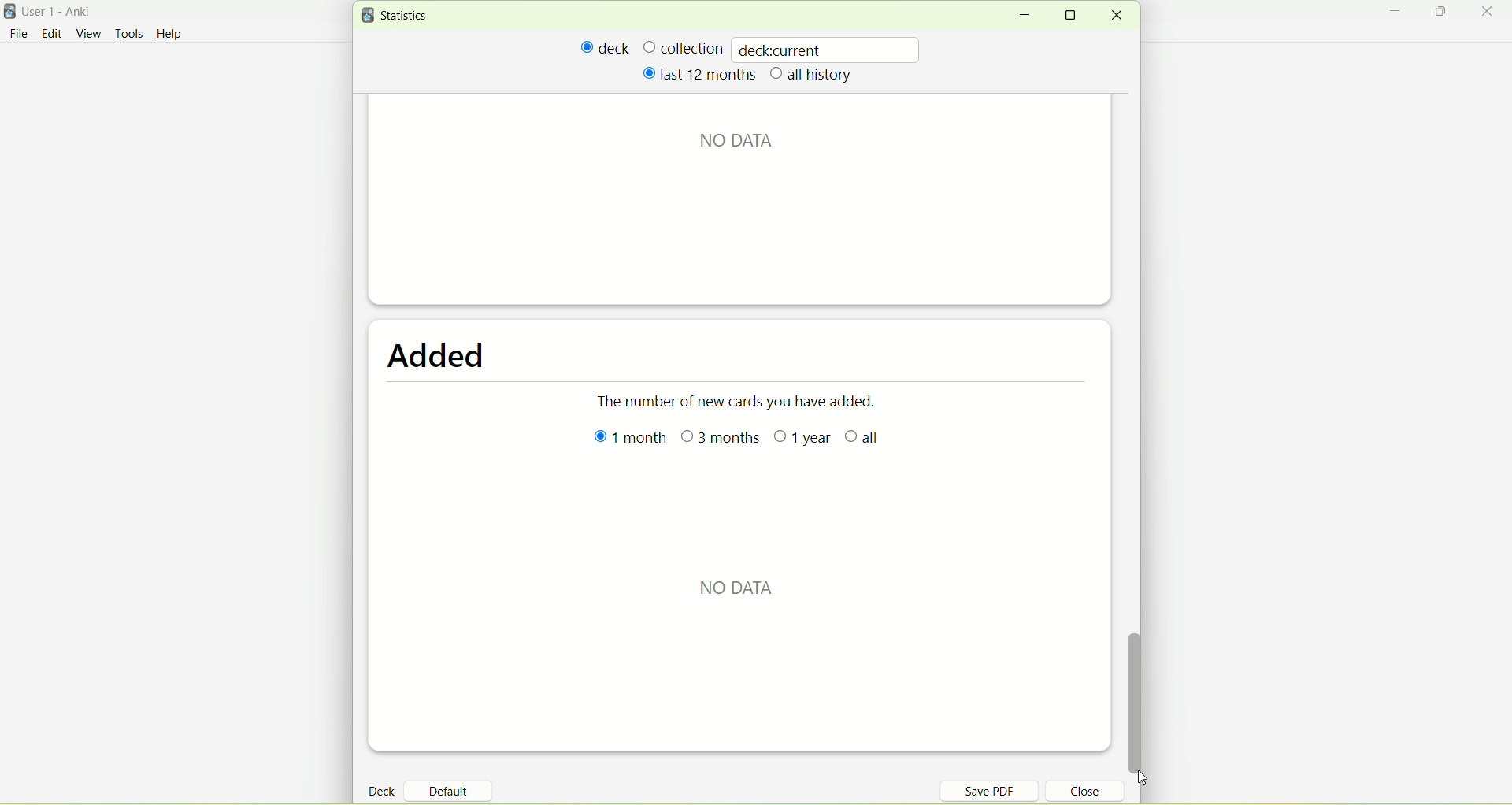  I want to click on close, so click(1076, 793).